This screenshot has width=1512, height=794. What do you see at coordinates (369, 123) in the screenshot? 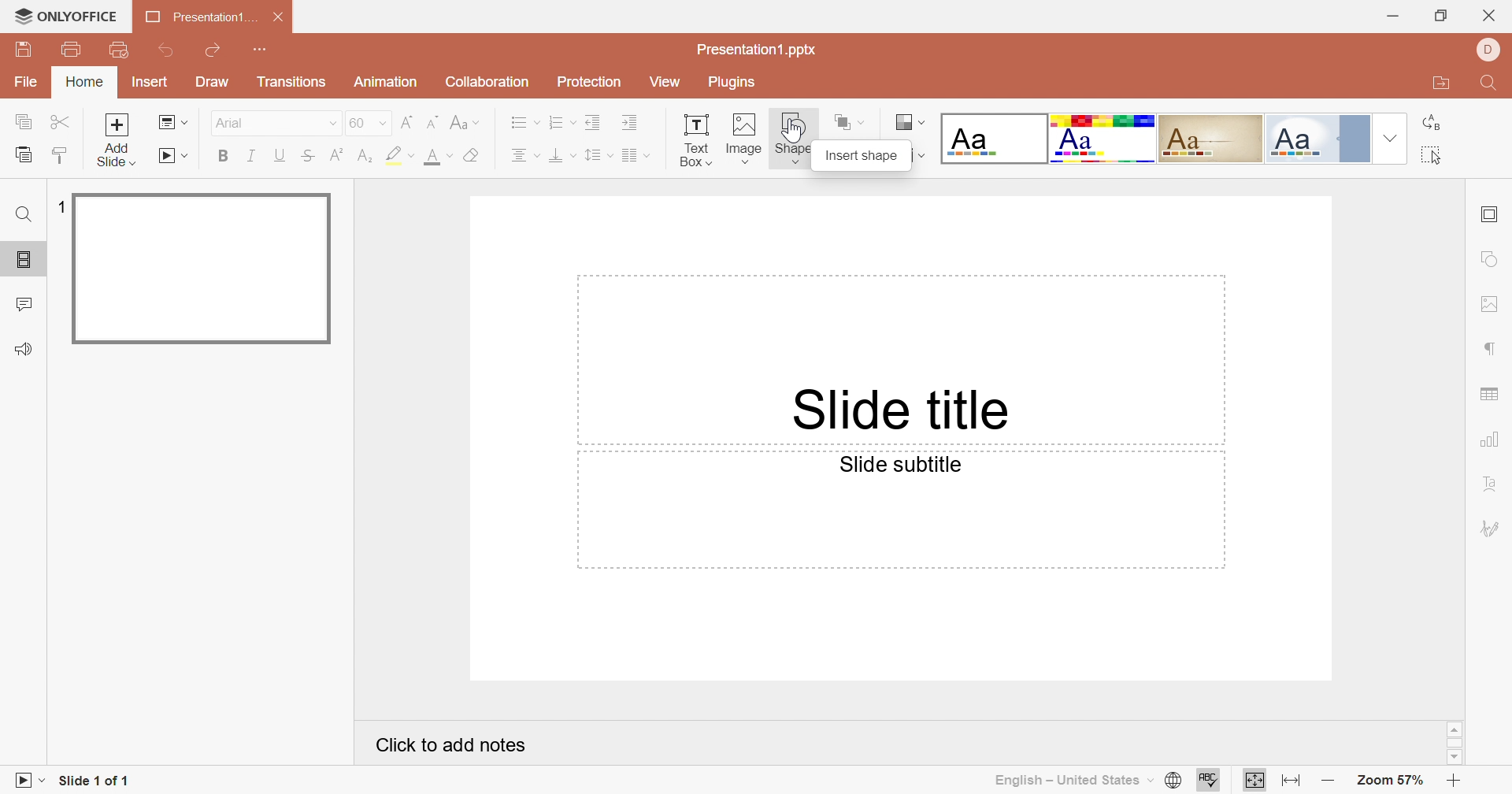
I see `Font size` at bounding box center [369, 123].